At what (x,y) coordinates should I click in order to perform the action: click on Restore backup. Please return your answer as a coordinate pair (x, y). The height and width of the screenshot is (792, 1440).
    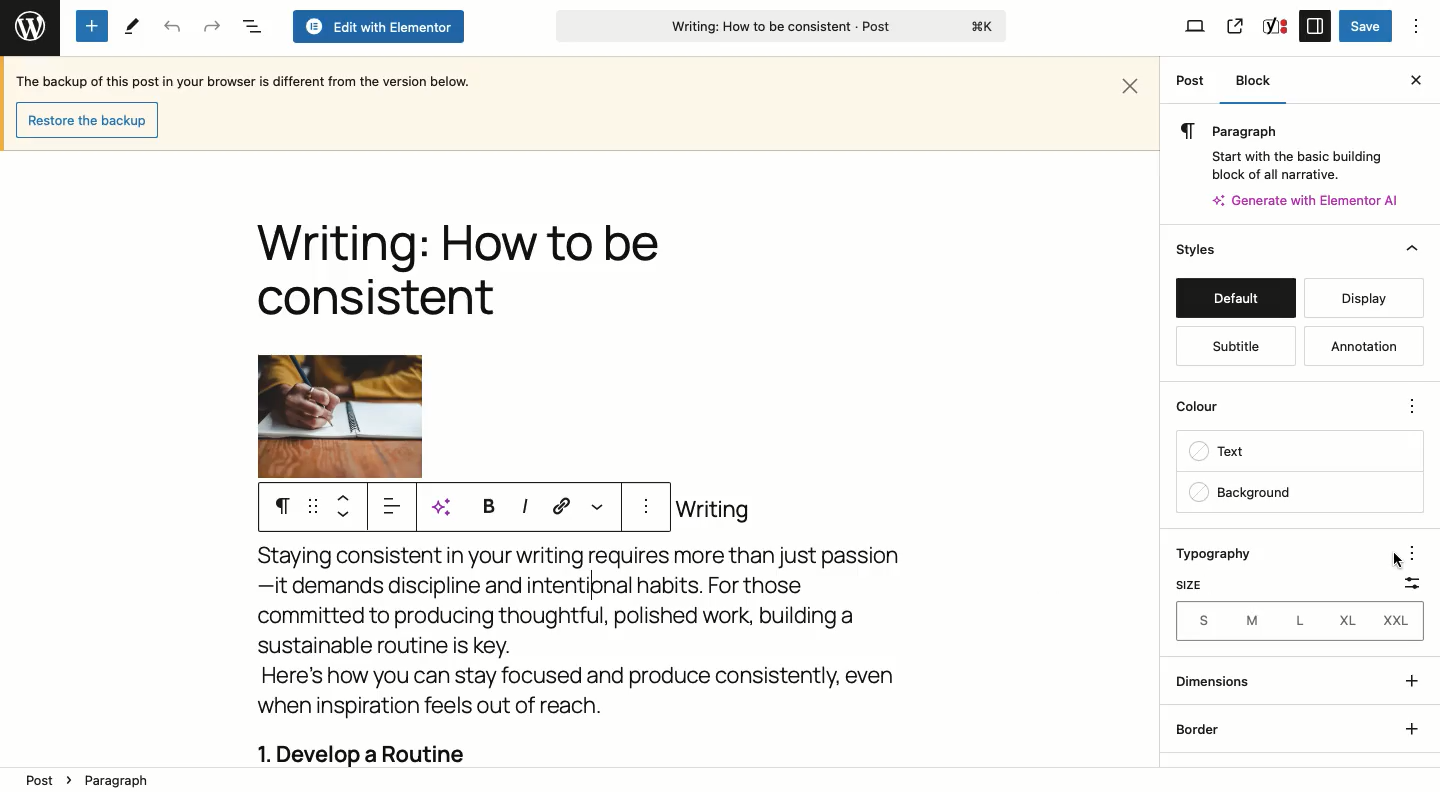
    Looking at the image, I should click on (85, 119).